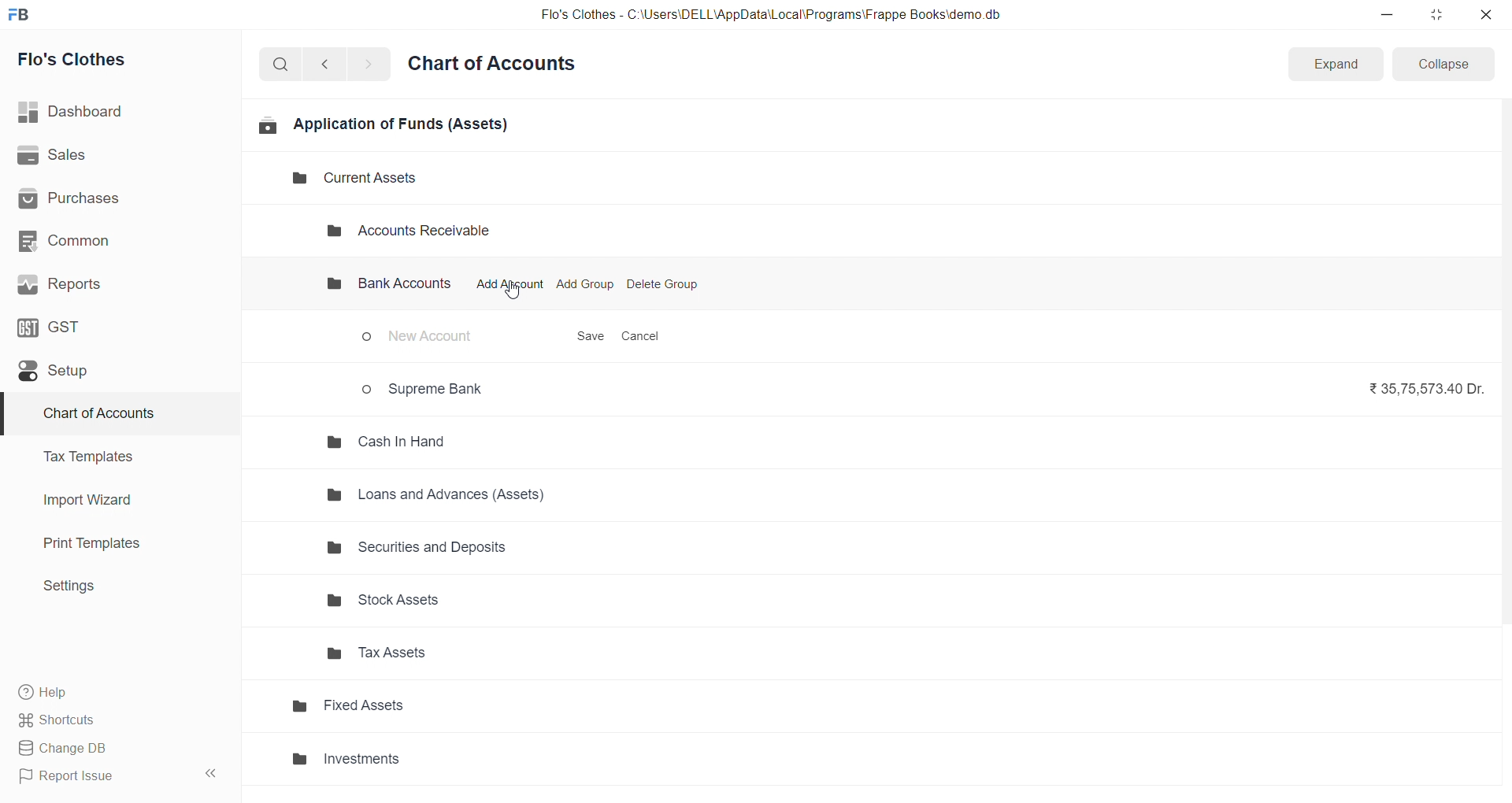 The image size is (1512, 803). Describe the element at coordinates (111, 240) in the screenshot. I see `Common` at that location.